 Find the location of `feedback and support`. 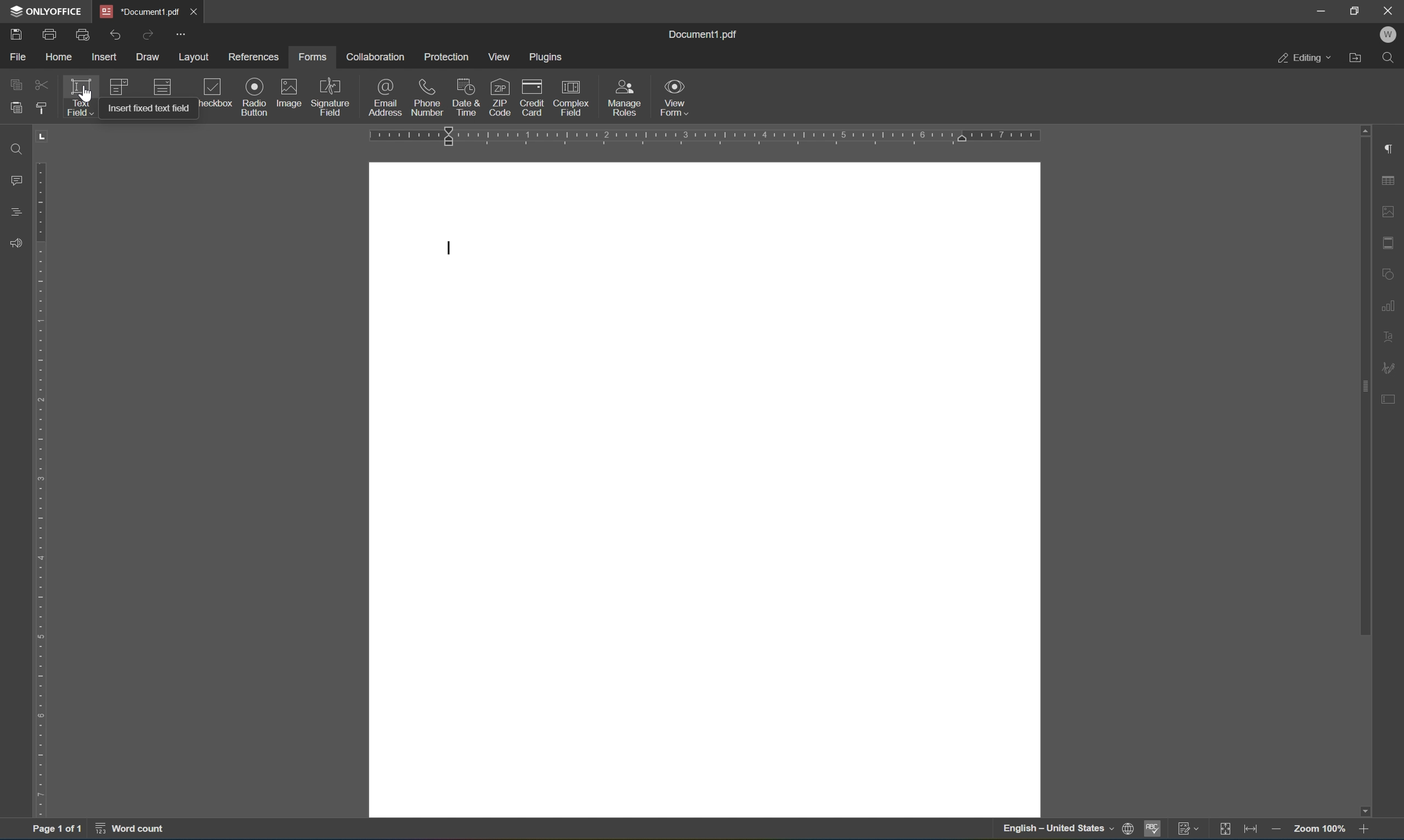

feedback and support is located at coordinates (16, 244).